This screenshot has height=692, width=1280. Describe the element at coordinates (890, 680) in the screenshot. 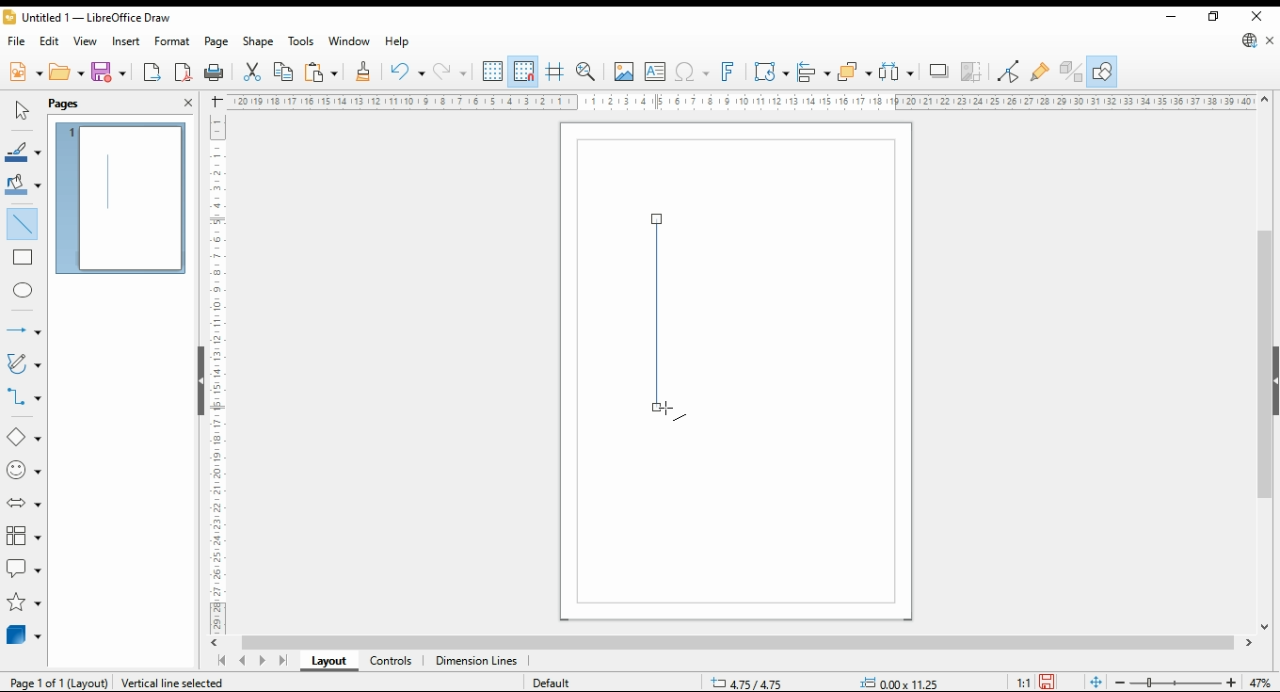

I see `` at that location.